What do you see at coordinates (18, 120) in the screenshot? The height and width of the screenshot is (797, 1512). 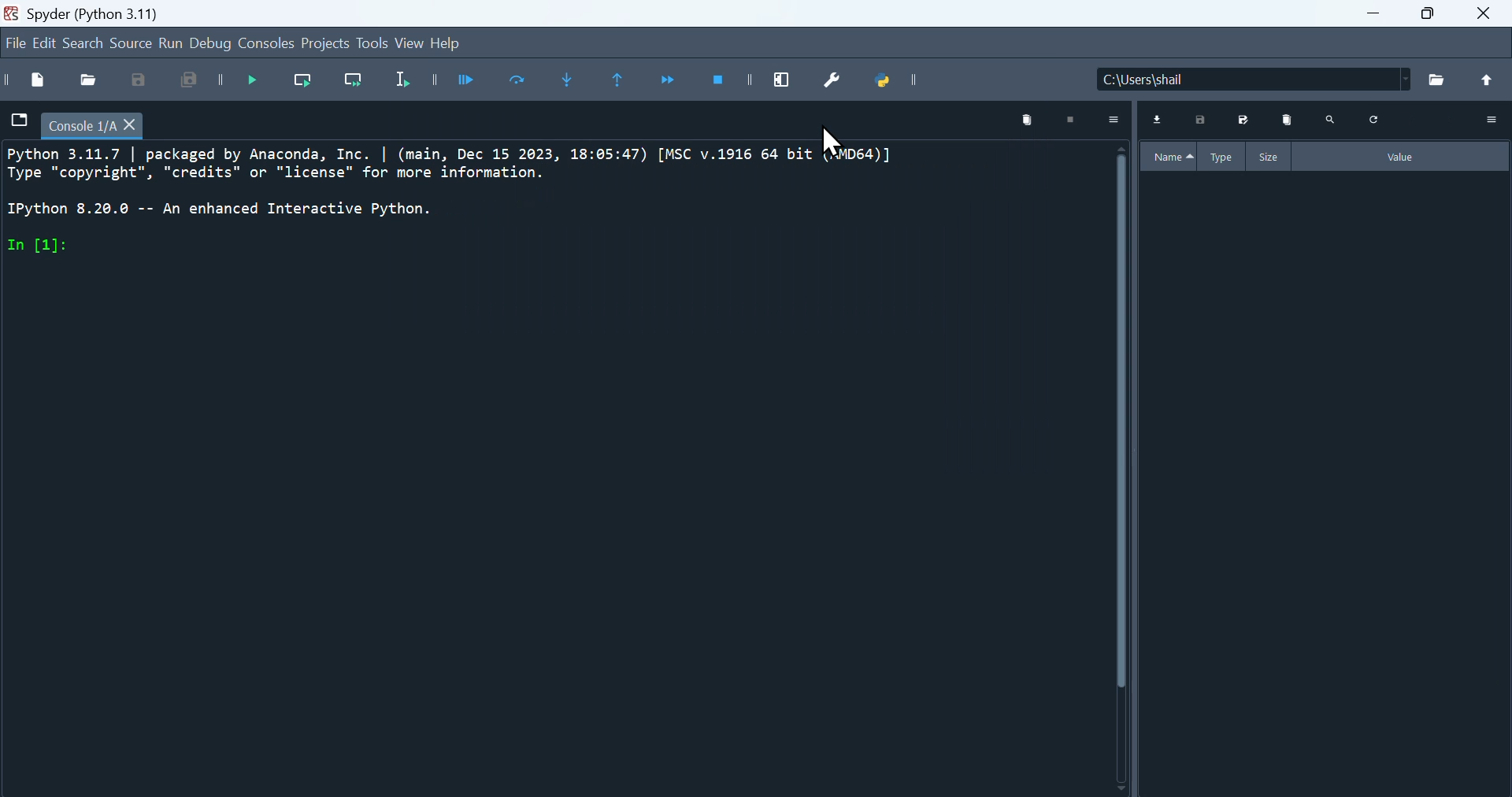 I see `file` at bounding box center [18, 120].